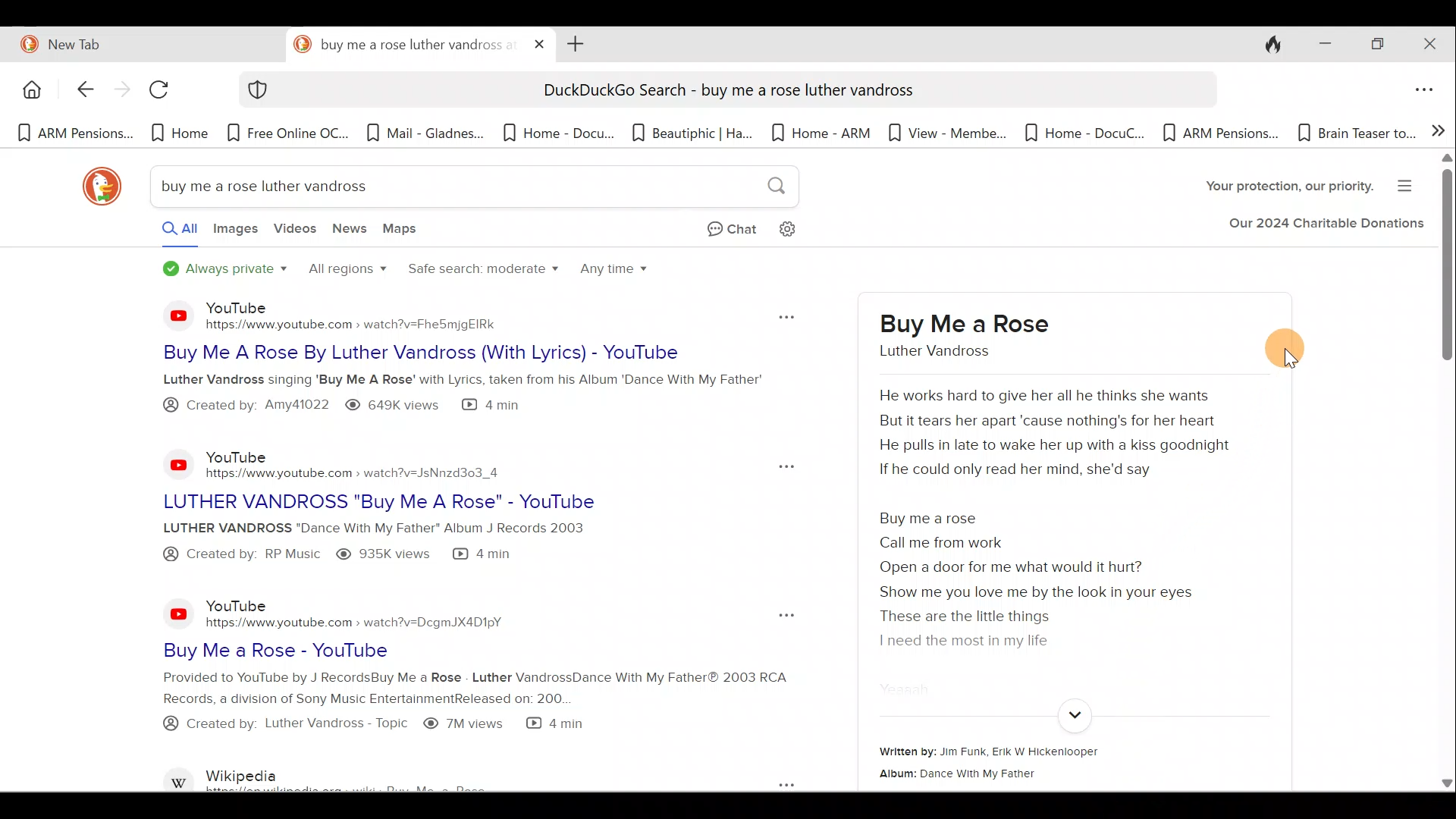  Describe the element at coordinates (140, 42) in the screenshot. I see `New Tab` at that location.